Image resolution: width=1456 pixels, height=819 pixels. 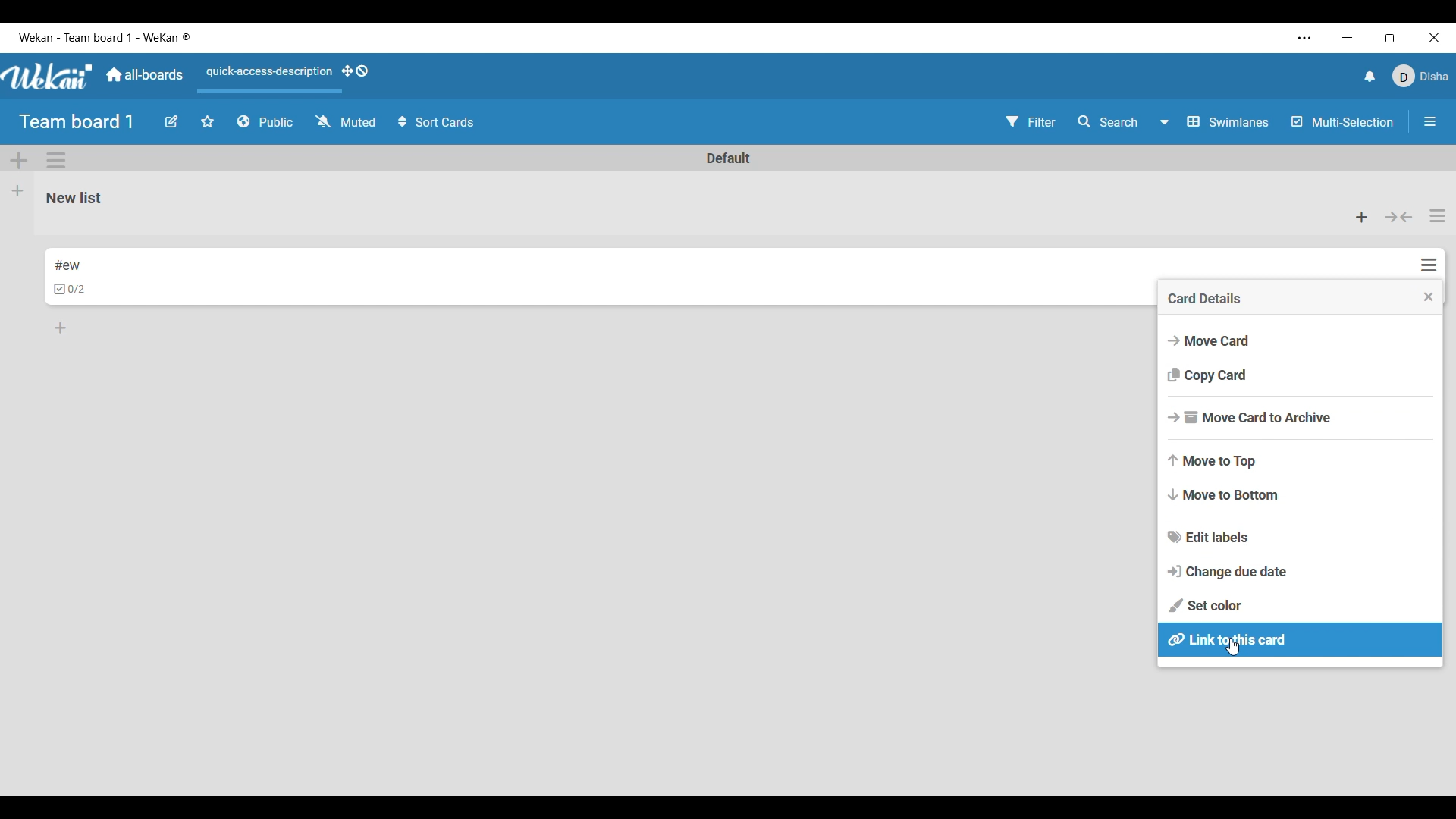 I want to click on Quick access description, so click(x=266, y=78).